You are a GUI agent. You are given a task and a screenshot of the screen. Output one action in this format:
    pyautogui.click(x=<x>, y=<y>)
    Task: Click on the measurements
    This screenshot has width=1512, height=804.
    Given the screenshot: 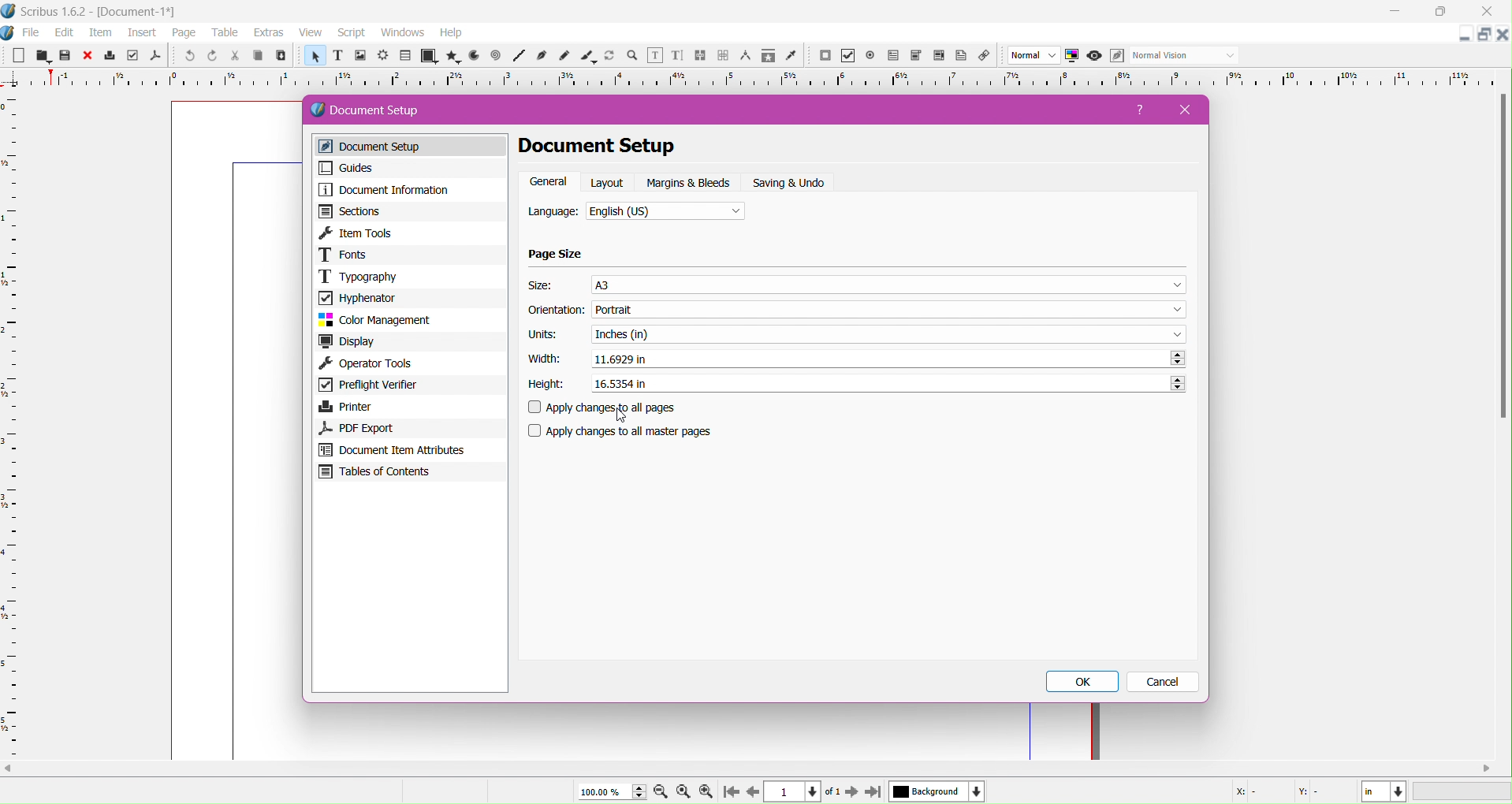 What is the action you would take?
    pyautogui.click(x=745, y=57)
    